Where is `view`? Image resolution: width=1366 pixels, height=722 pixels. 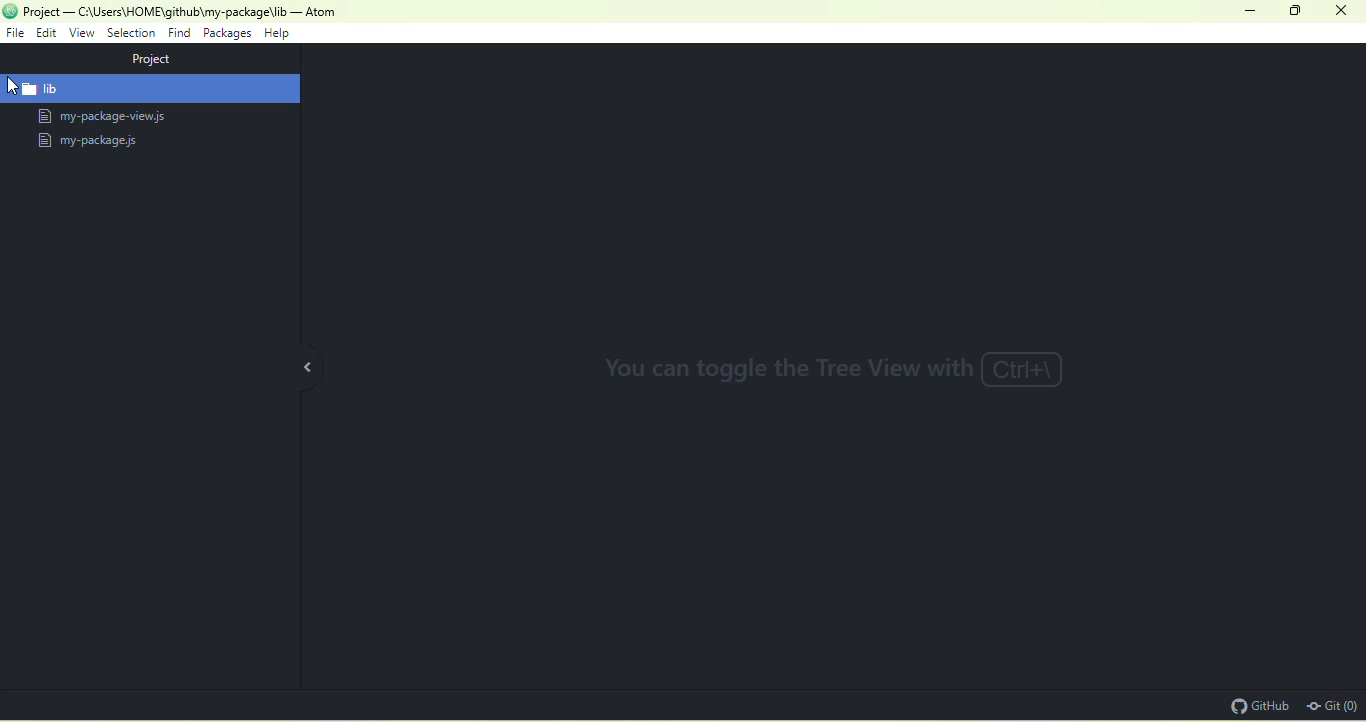
view is located at coordinates (80, 33).